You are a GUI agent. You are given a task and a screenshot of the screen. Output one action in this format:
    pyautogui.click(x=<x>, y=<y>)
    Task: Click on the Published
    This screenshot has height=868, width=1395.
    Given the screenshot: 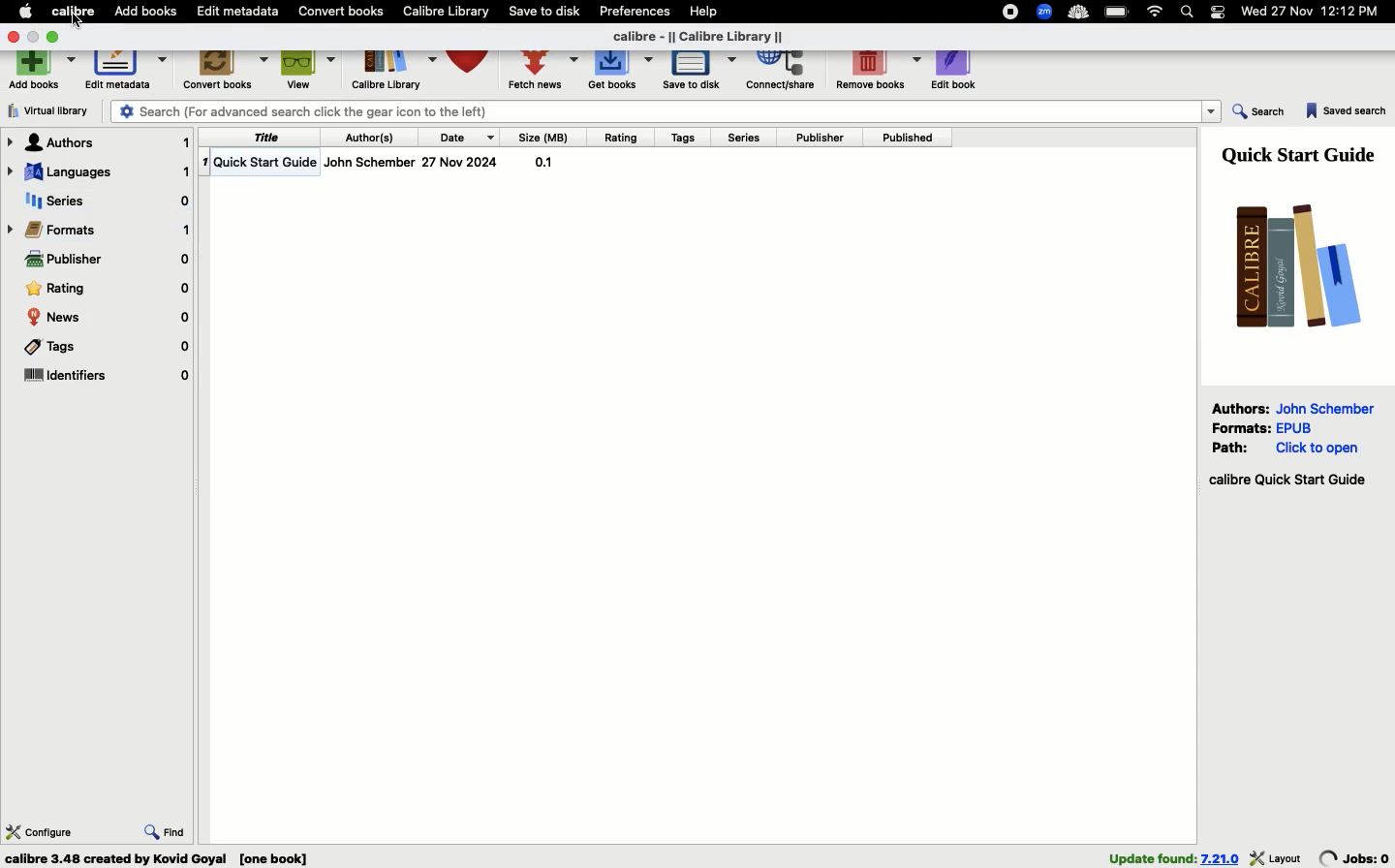 What is the action you would take?
    pyautogui.click(x=908, y=139)
    